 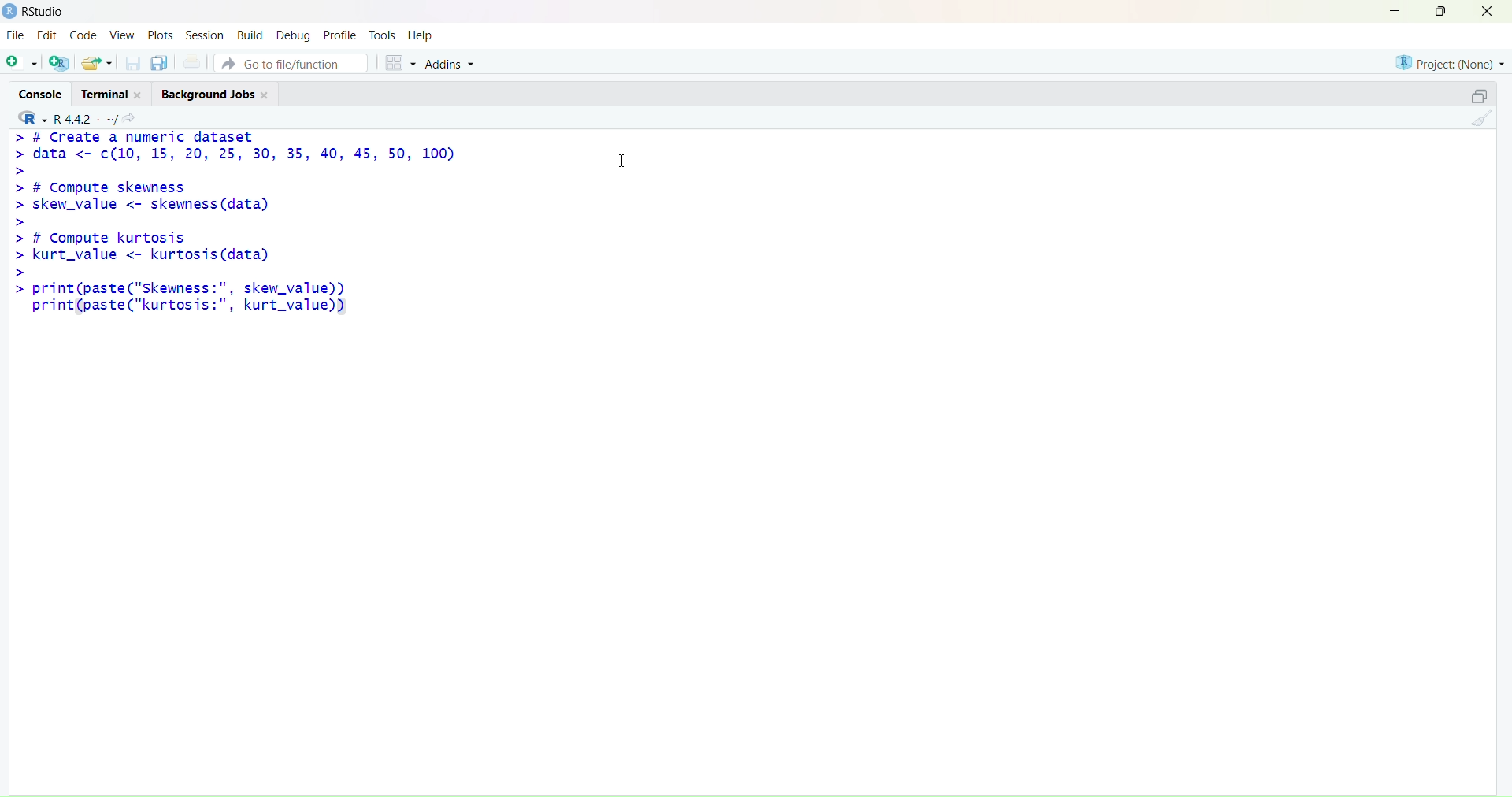 I want to click on Create a project, so click(x=59, y=63).